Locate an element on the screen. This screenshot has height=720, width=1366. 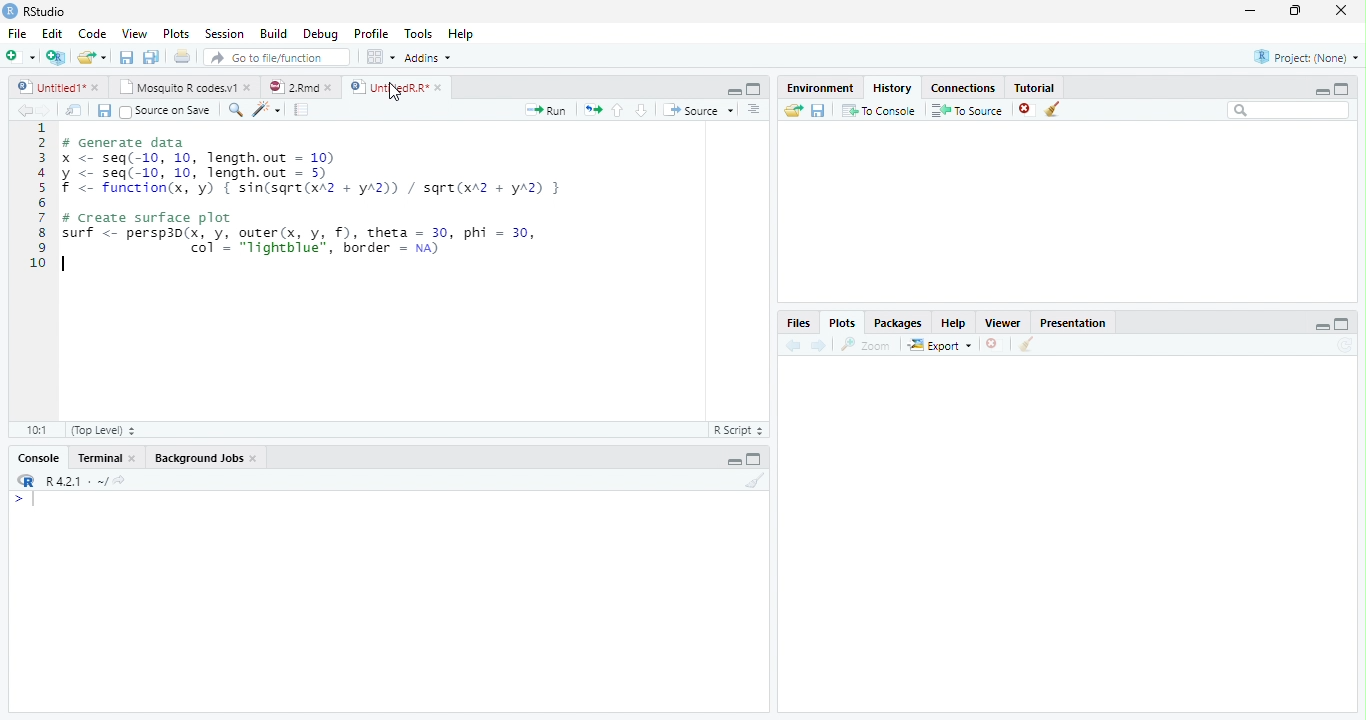
Go to file/function is located at coordinates (277, 56).